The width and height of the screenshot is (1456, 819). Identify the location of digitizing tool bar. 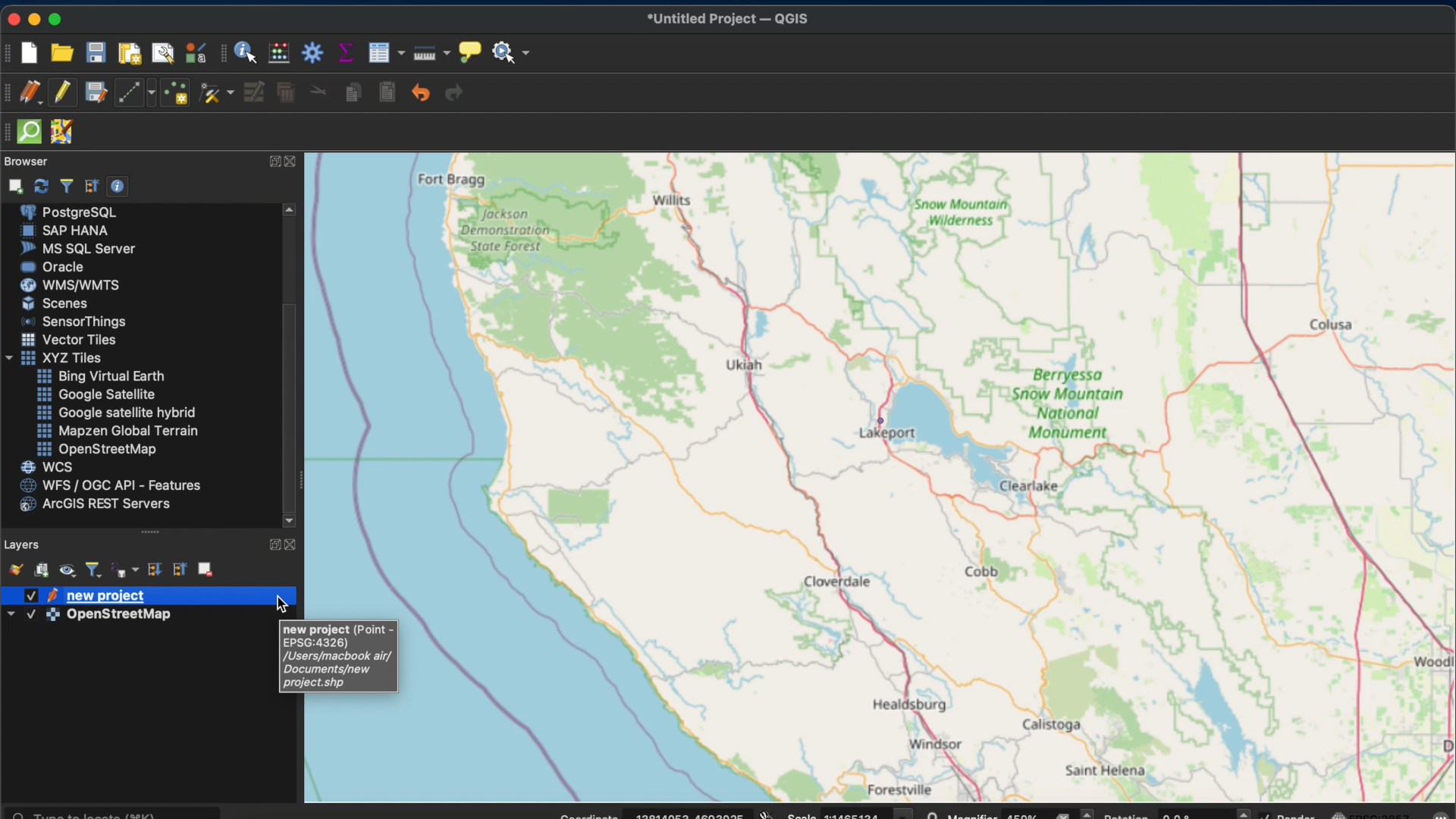
(10, 93).